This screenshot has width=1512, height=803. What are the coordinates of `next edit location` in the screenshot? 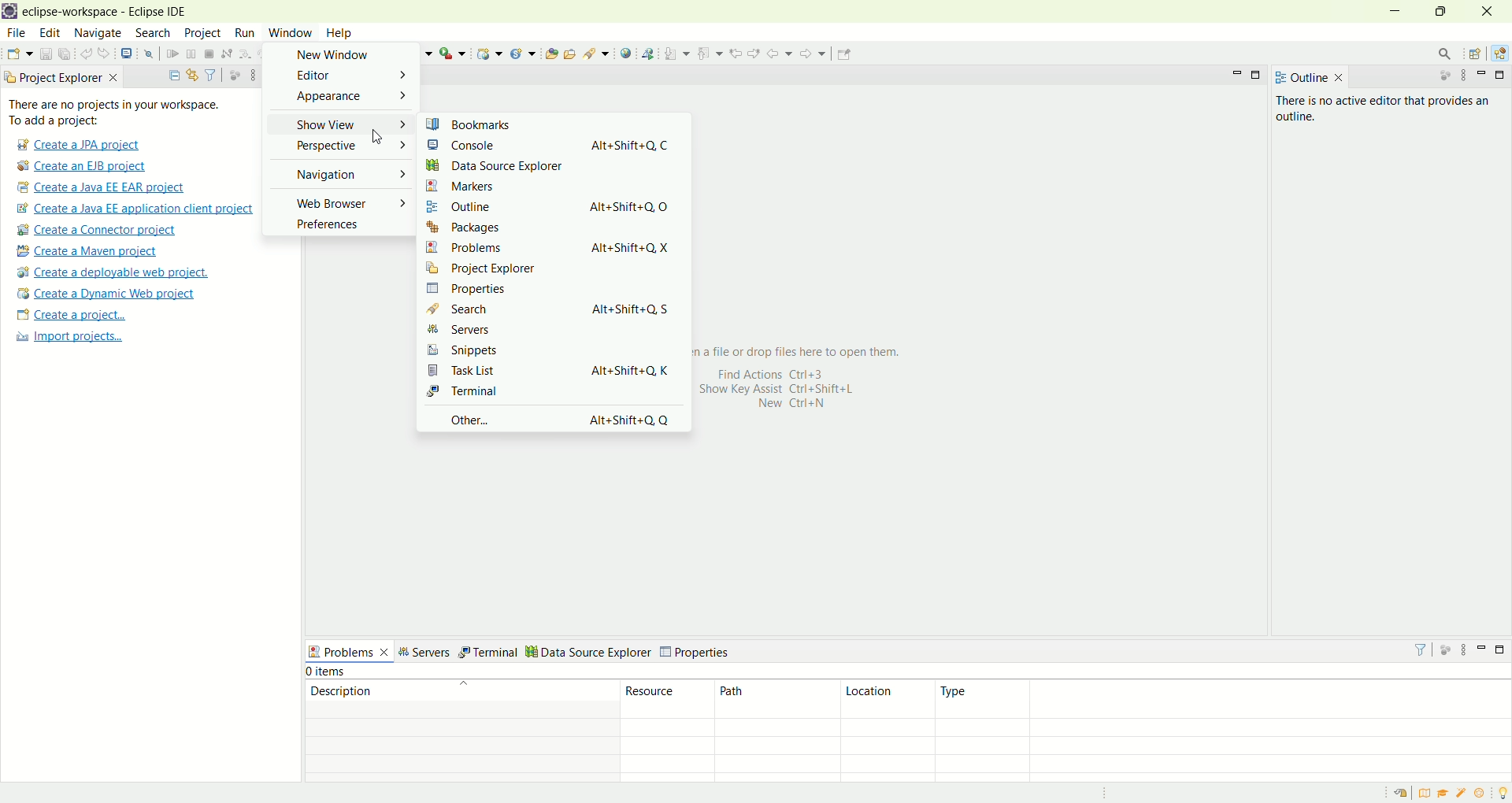 It's located at (754, 52).